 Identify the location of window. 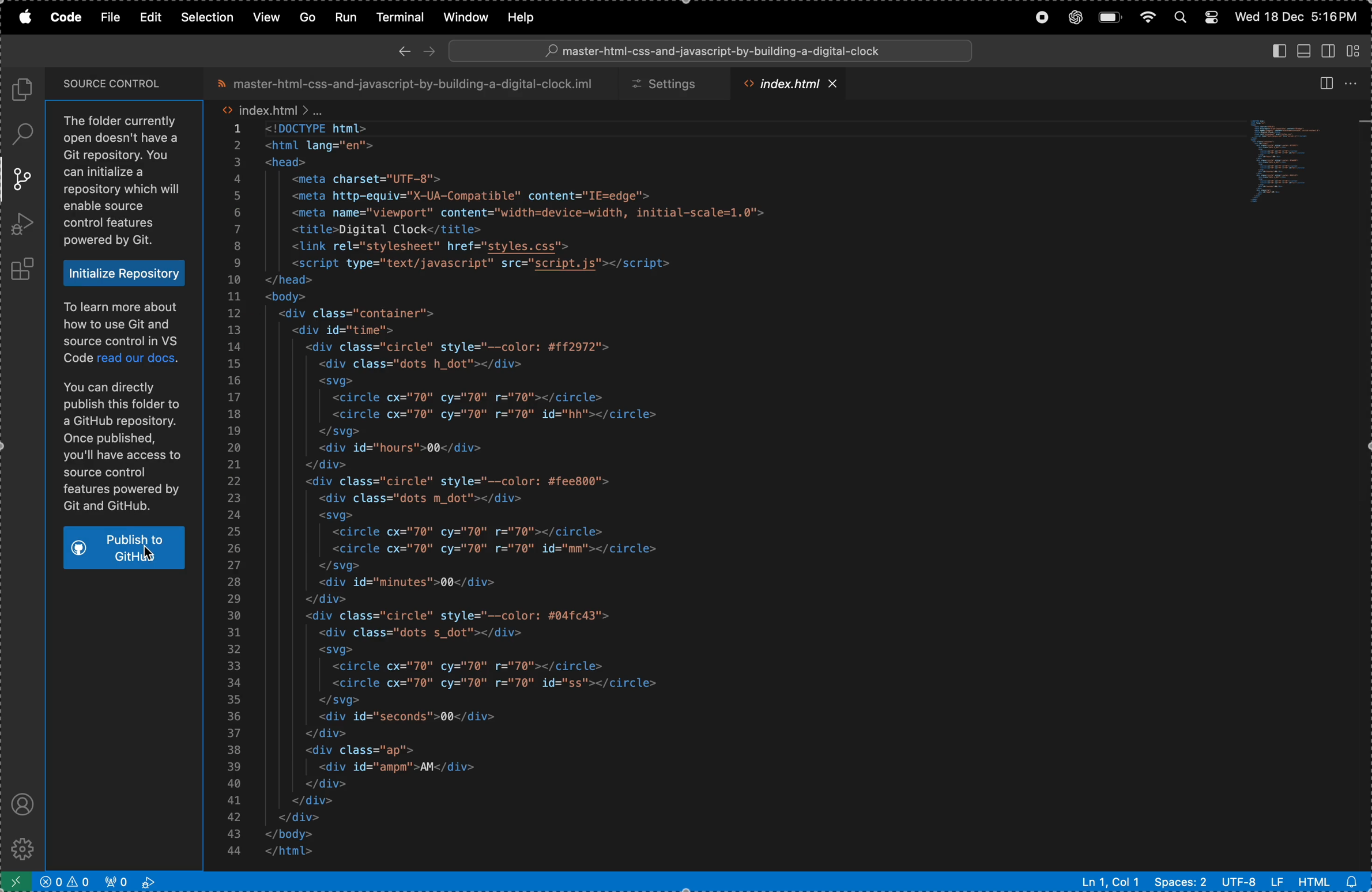
(462, 18).